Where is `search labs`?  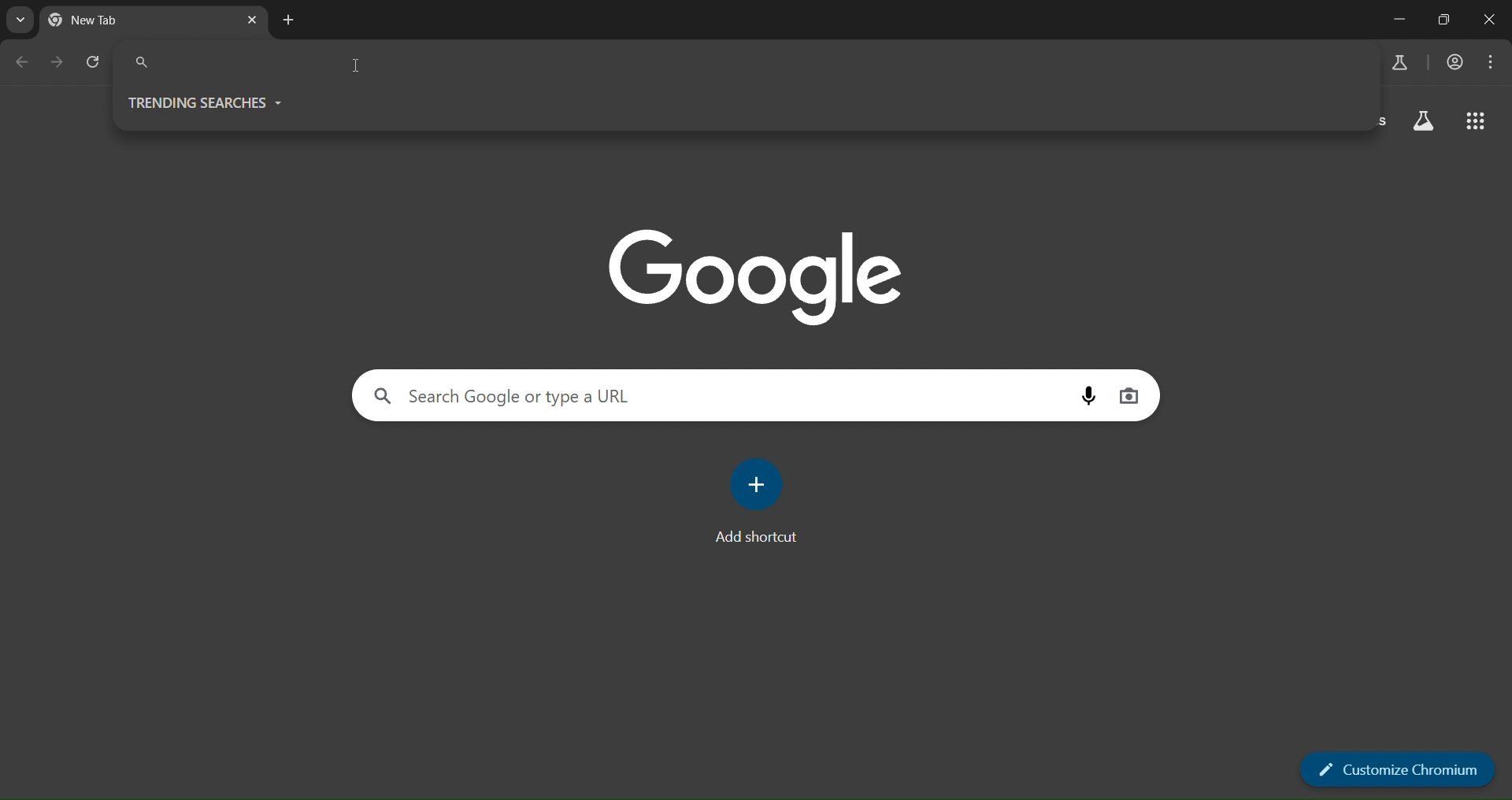
search labs is located at coordinates (20, 22).